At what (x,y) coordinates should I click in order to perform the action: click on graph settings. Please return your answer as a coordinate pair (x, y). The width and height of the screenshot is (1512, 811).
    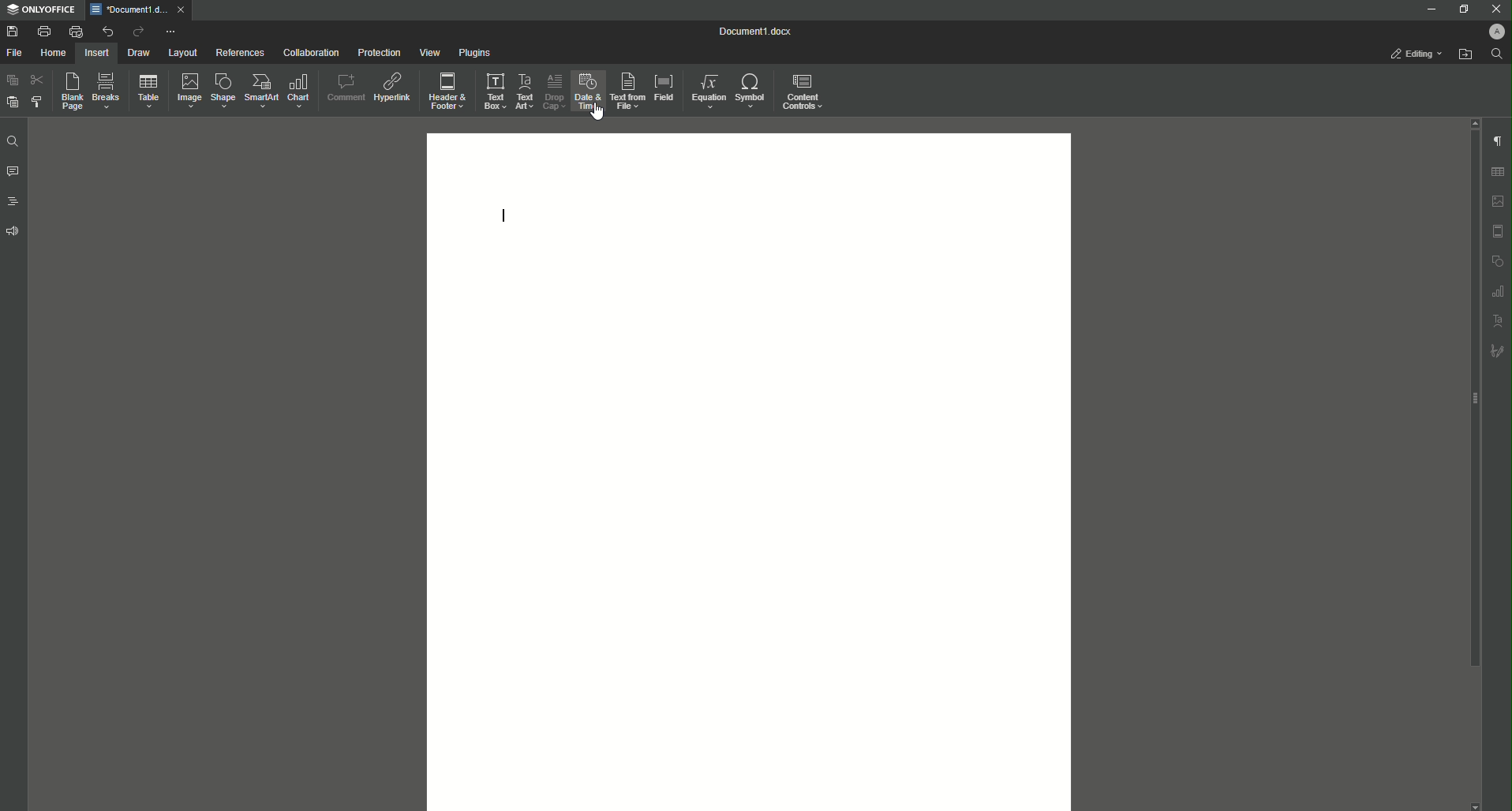
    Looking at the image, I should click on (1498, 290).